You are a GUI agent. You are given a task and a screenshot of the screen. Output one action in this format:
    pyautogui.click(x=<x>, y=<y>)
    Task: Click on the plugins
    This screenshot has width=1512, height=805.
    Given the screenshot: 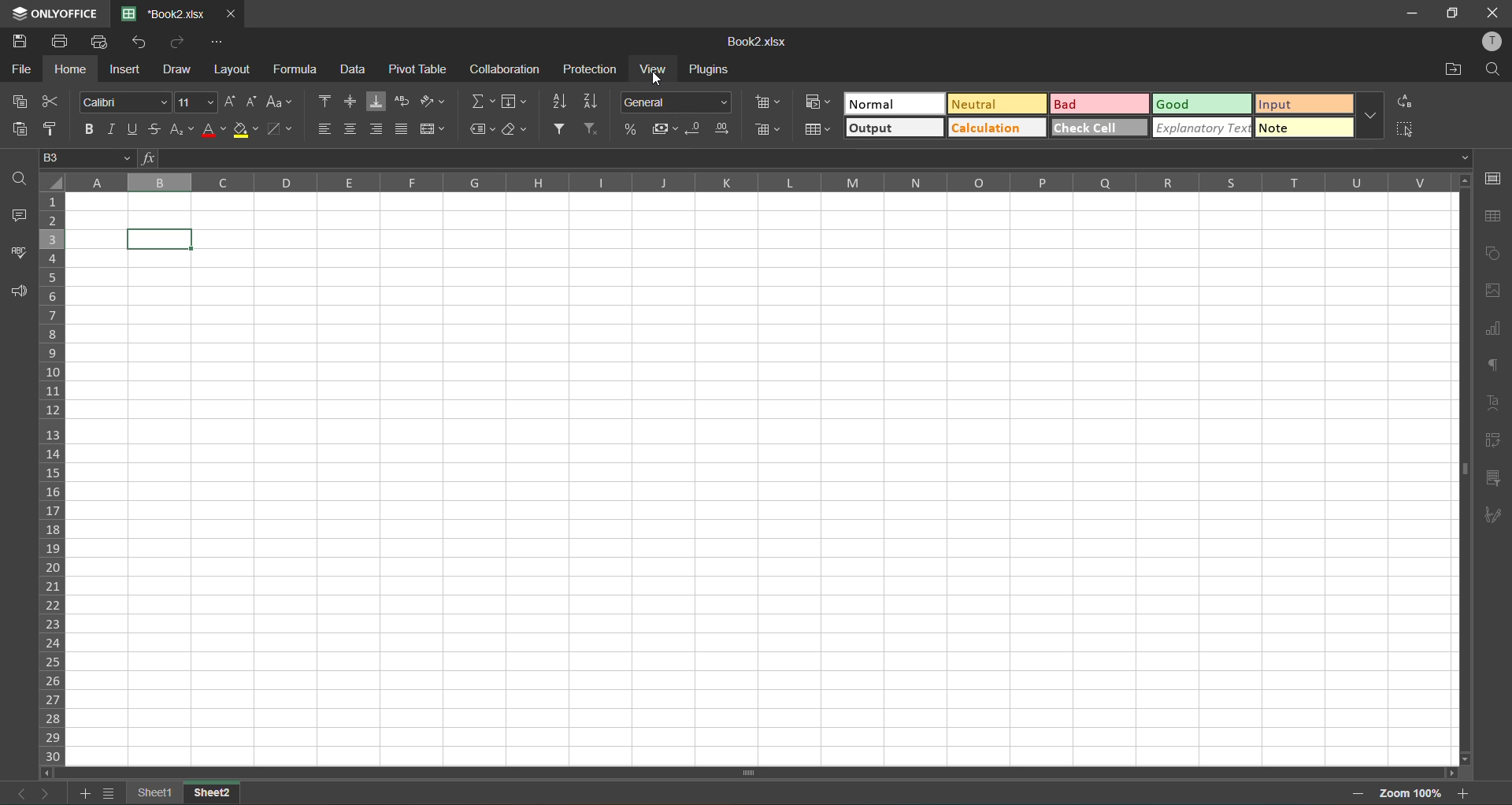 What is the action you would take?
    pyautogui.click(x=713, y=71)
    